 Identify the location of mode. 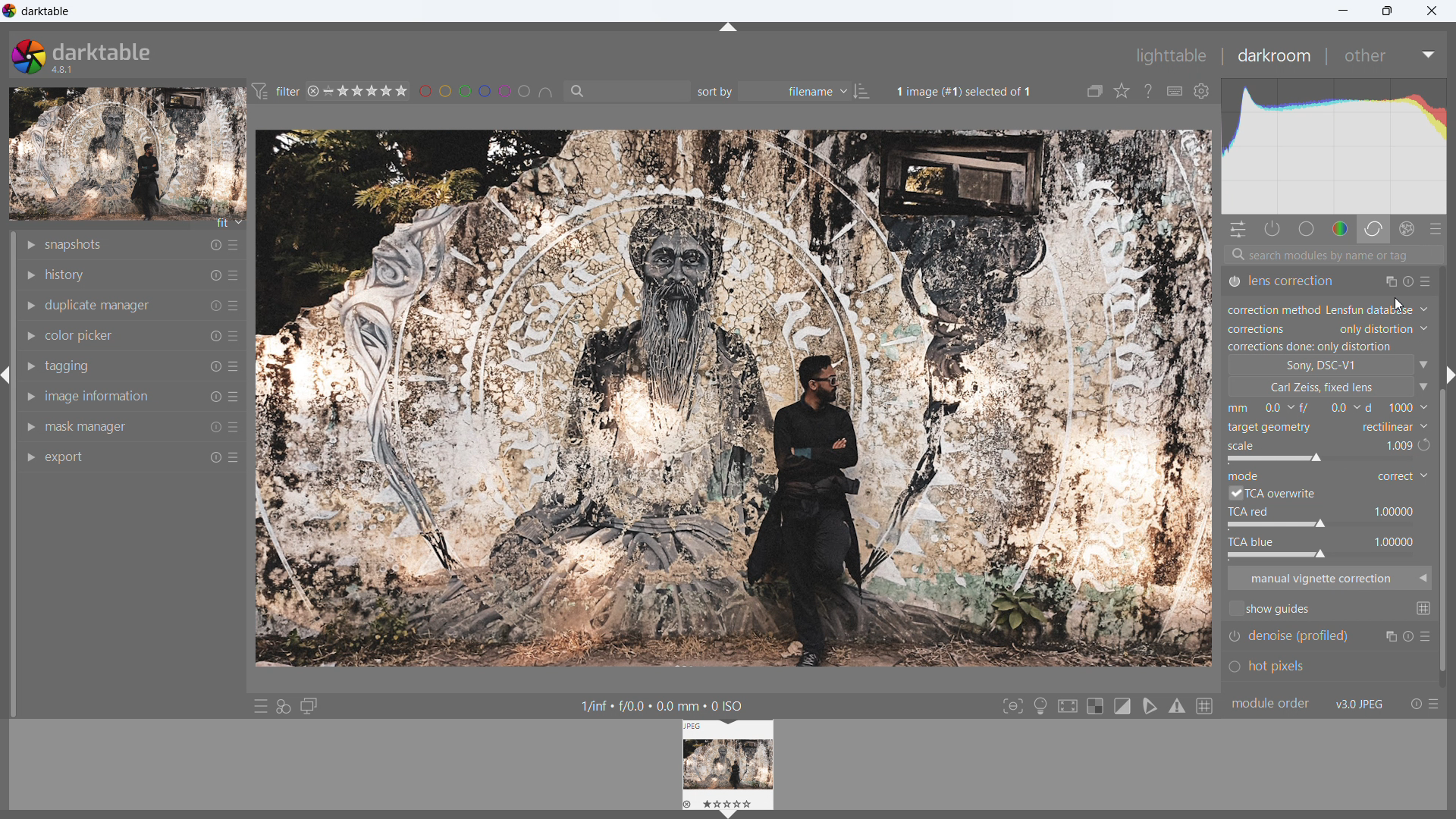
(1247, 475).